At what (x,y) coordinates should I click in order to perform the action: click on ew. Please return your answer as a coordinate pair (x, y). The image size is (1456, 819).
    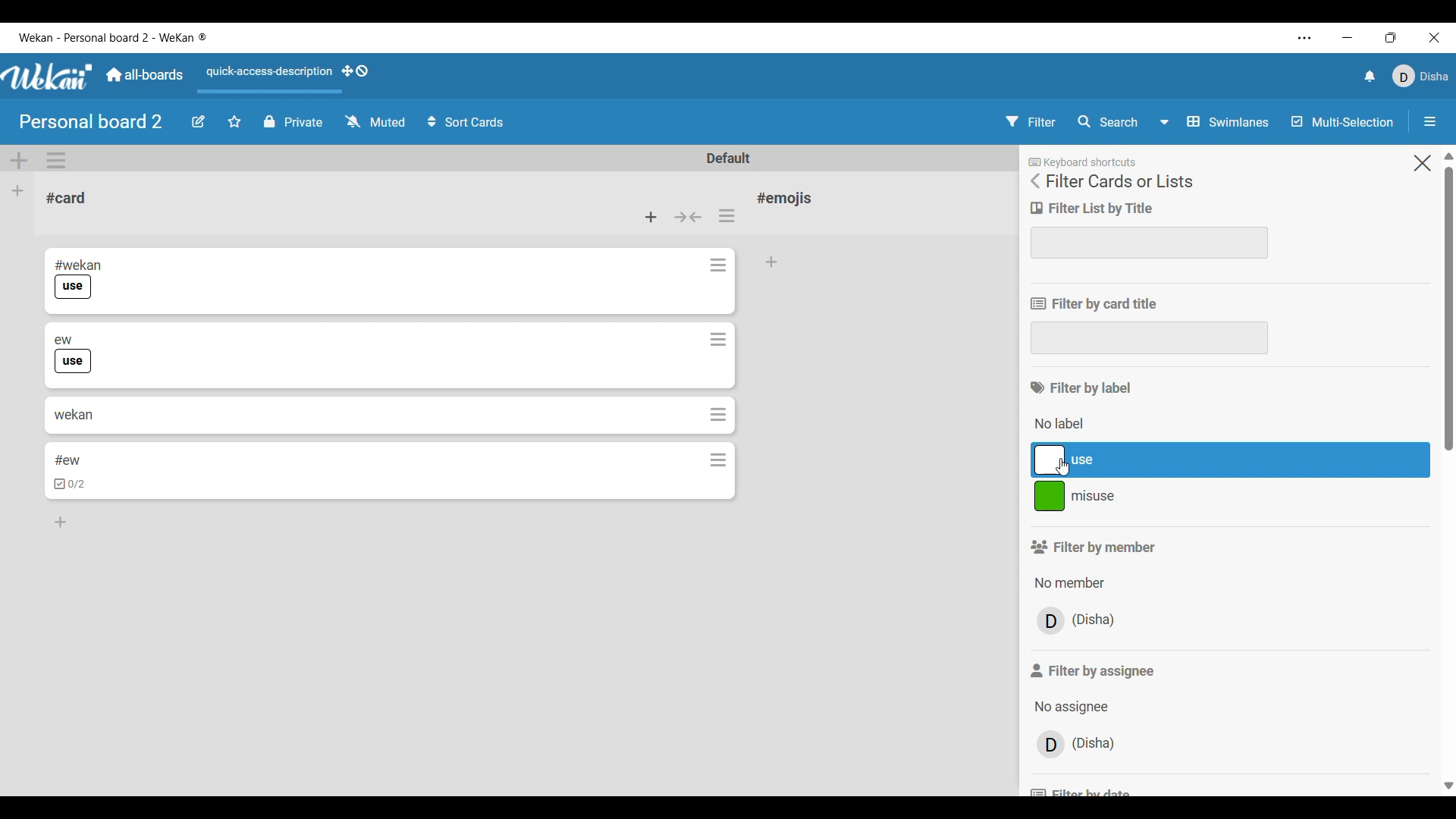
    Looking at the image, I should click on (64, 338).